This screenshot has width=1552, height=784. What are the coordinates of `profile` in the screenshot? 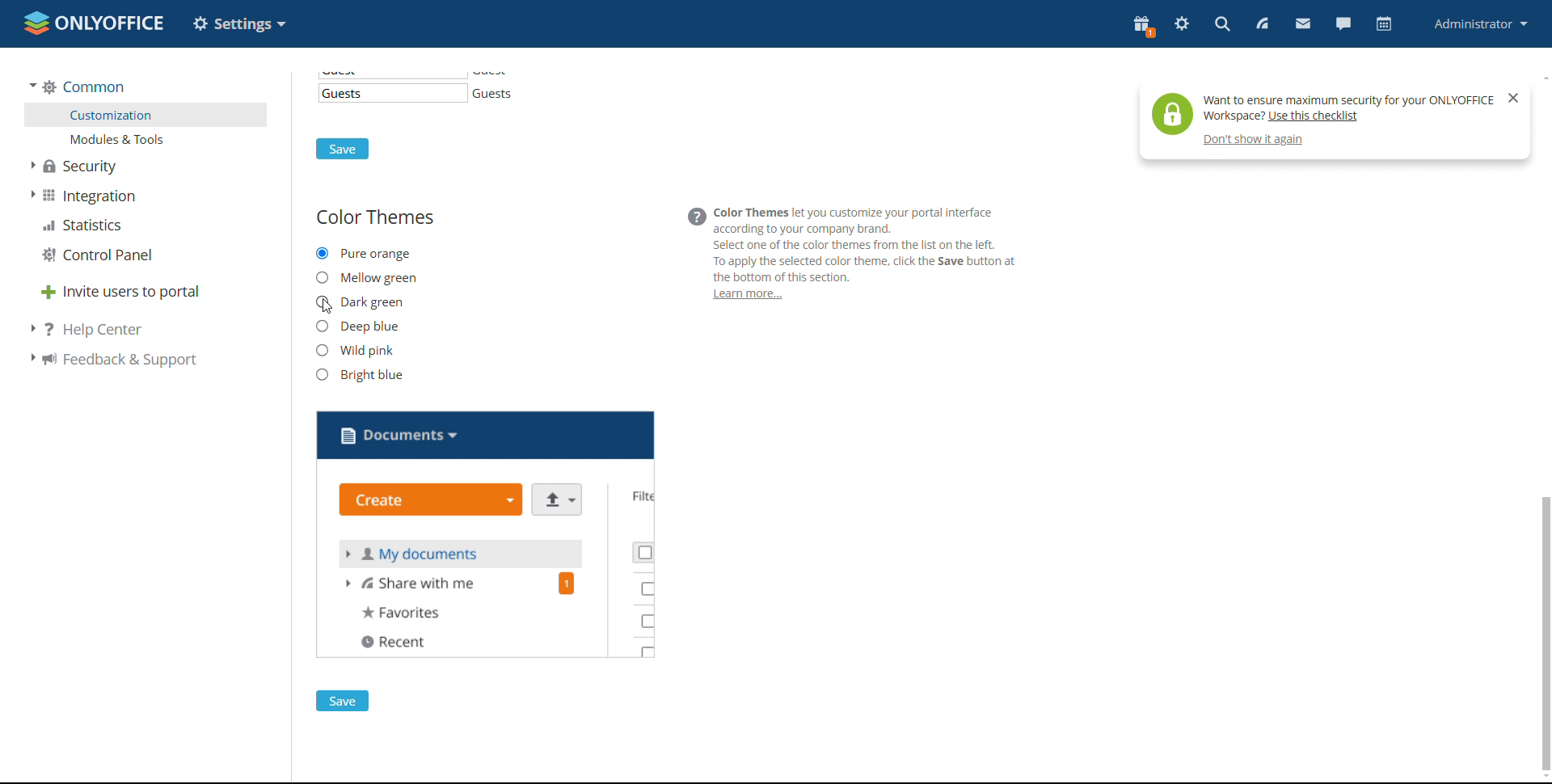 It's located at (1478, 23).